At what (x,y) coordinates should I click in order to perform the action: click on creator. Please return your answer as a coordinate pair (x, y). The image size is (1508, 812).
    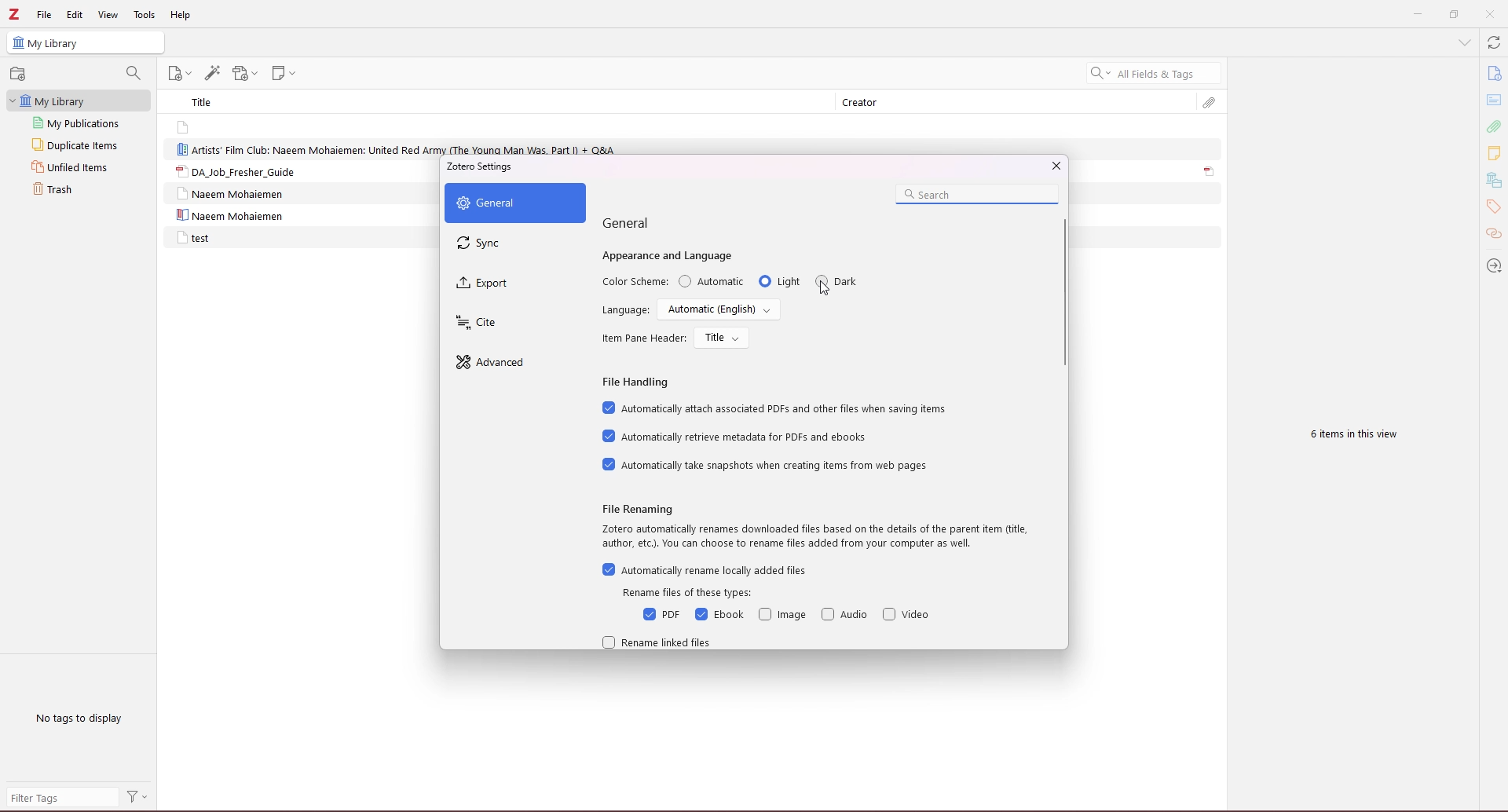
    Looking at the image, I should click on (868, 103).